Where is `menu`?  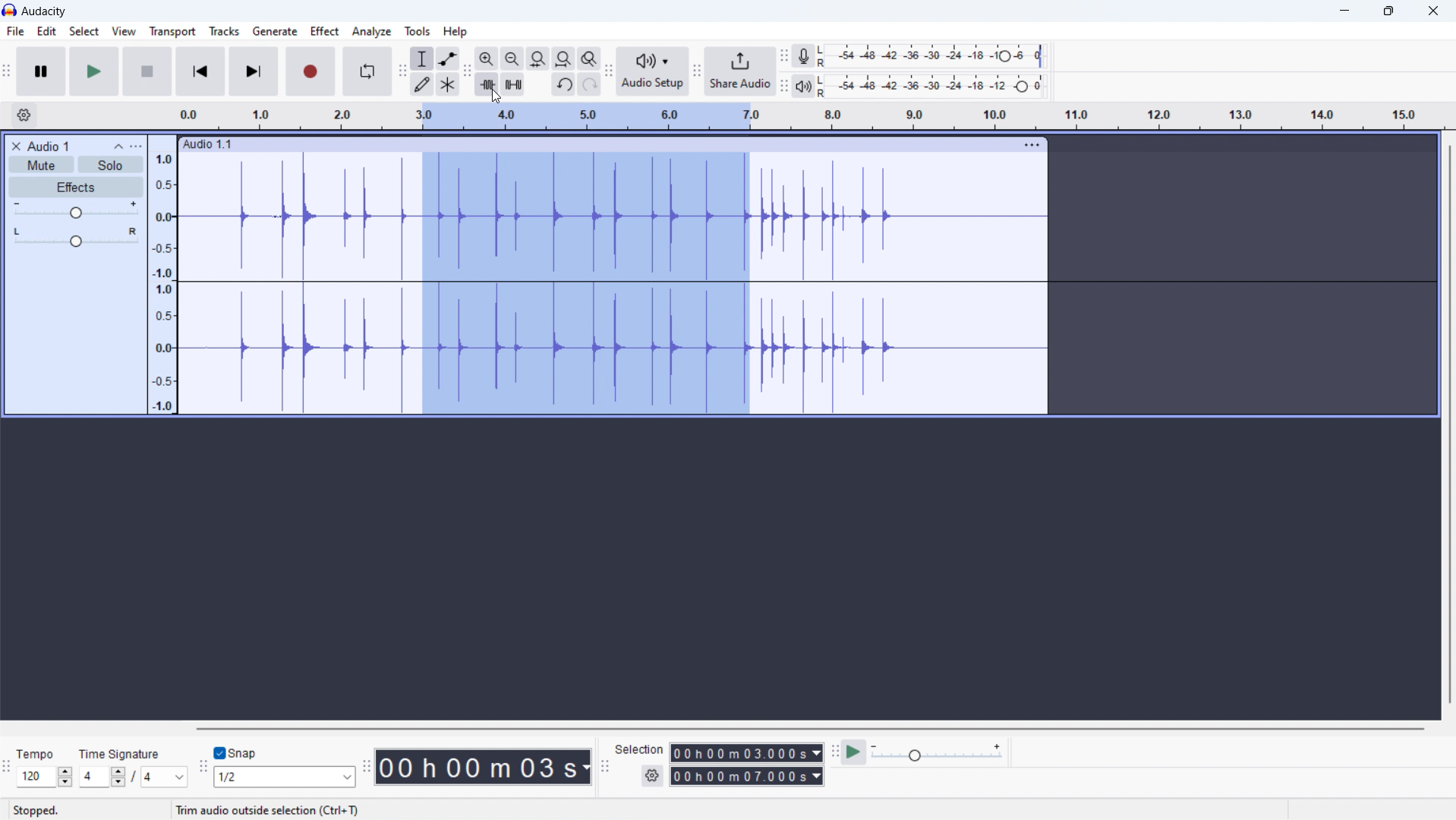 menu is located at coordinates (1030, 145).